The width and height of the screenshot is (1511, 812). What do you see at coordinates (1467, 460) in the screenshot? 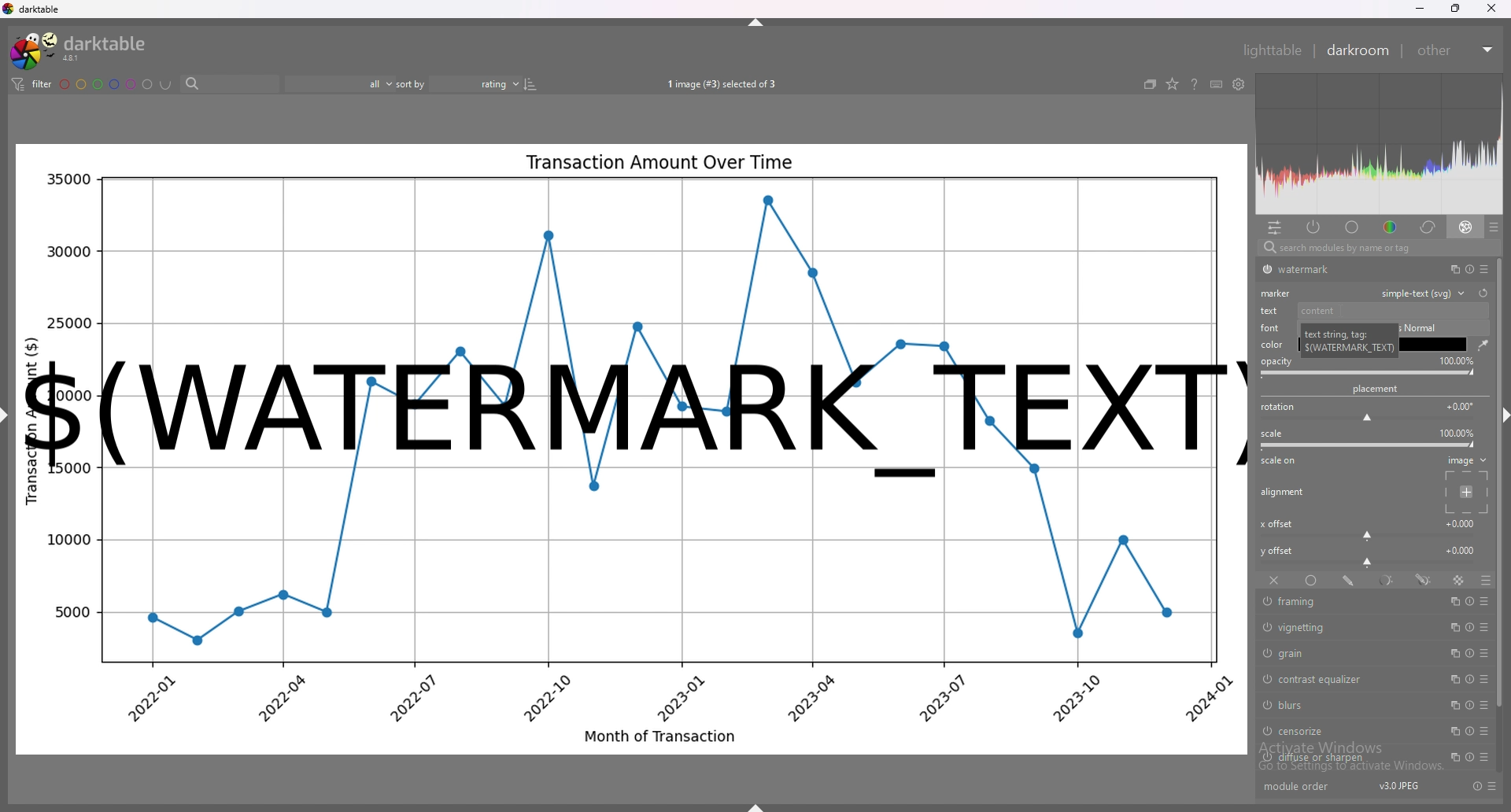
I see `image` at bounding box center [1467, 460].